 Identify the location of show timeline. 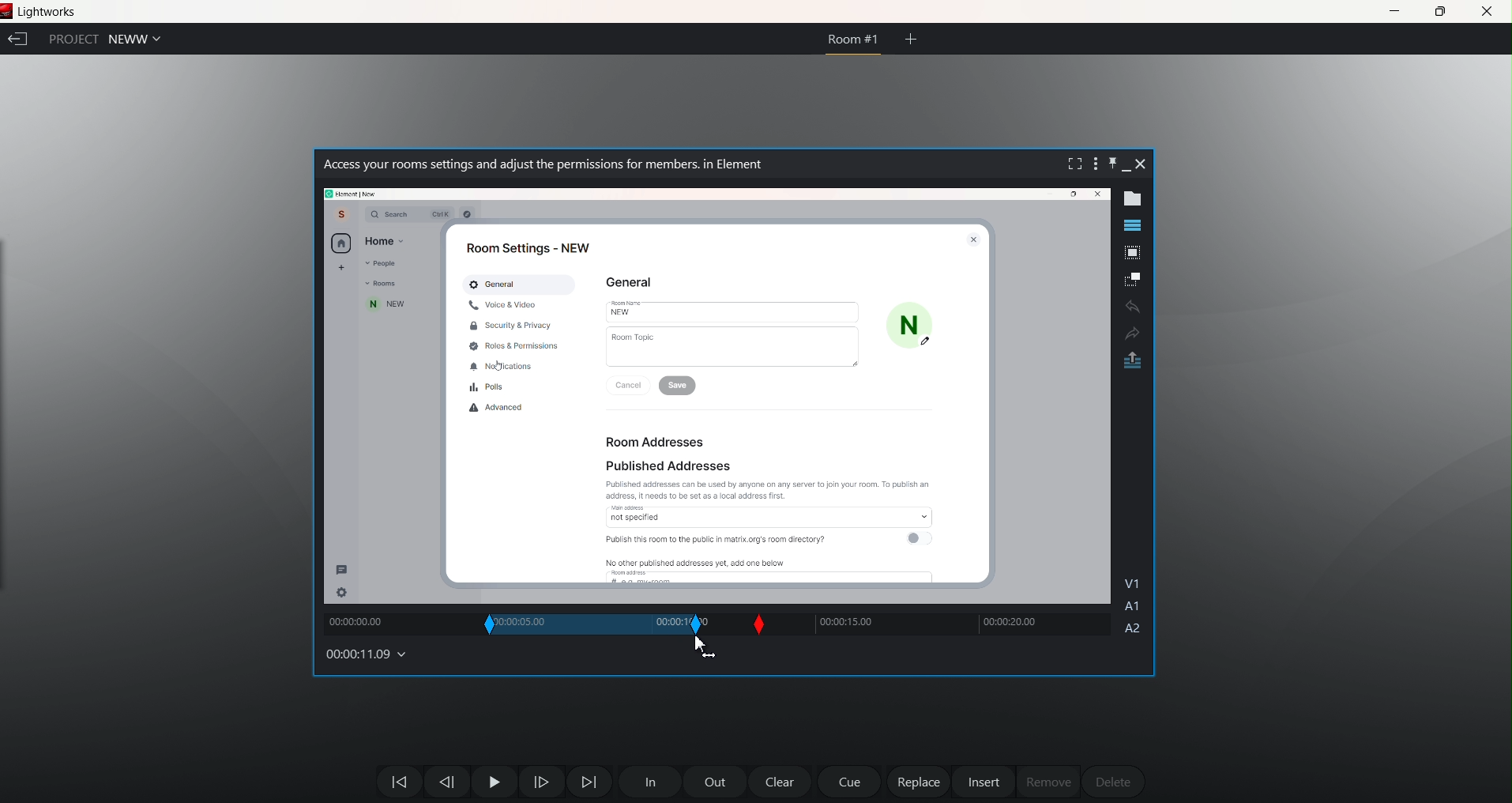
(1130, 225).